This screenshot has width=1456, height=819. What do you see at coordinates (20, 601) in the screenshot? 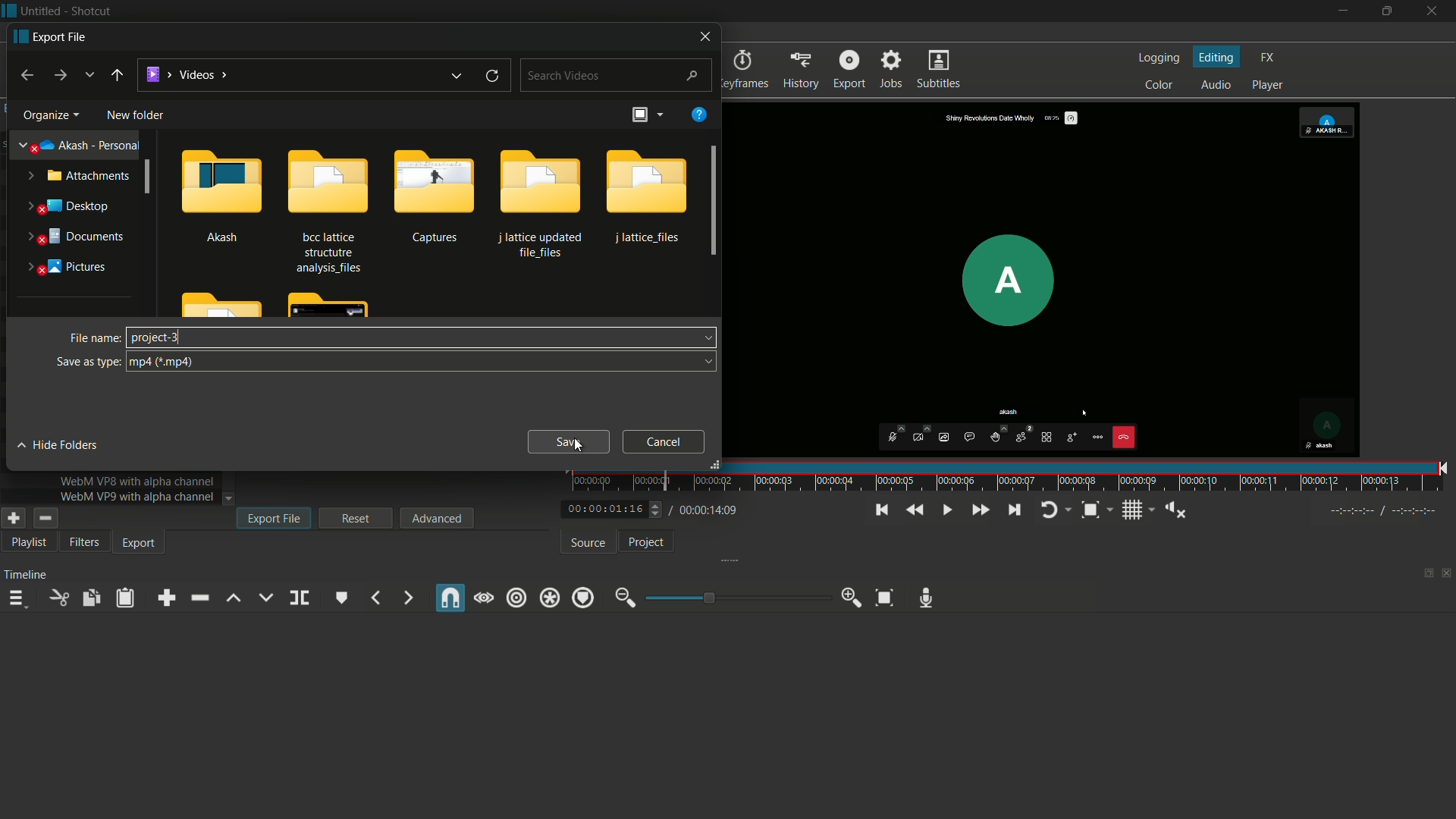
I see `timeline menu` at bounding box center [20, 601].